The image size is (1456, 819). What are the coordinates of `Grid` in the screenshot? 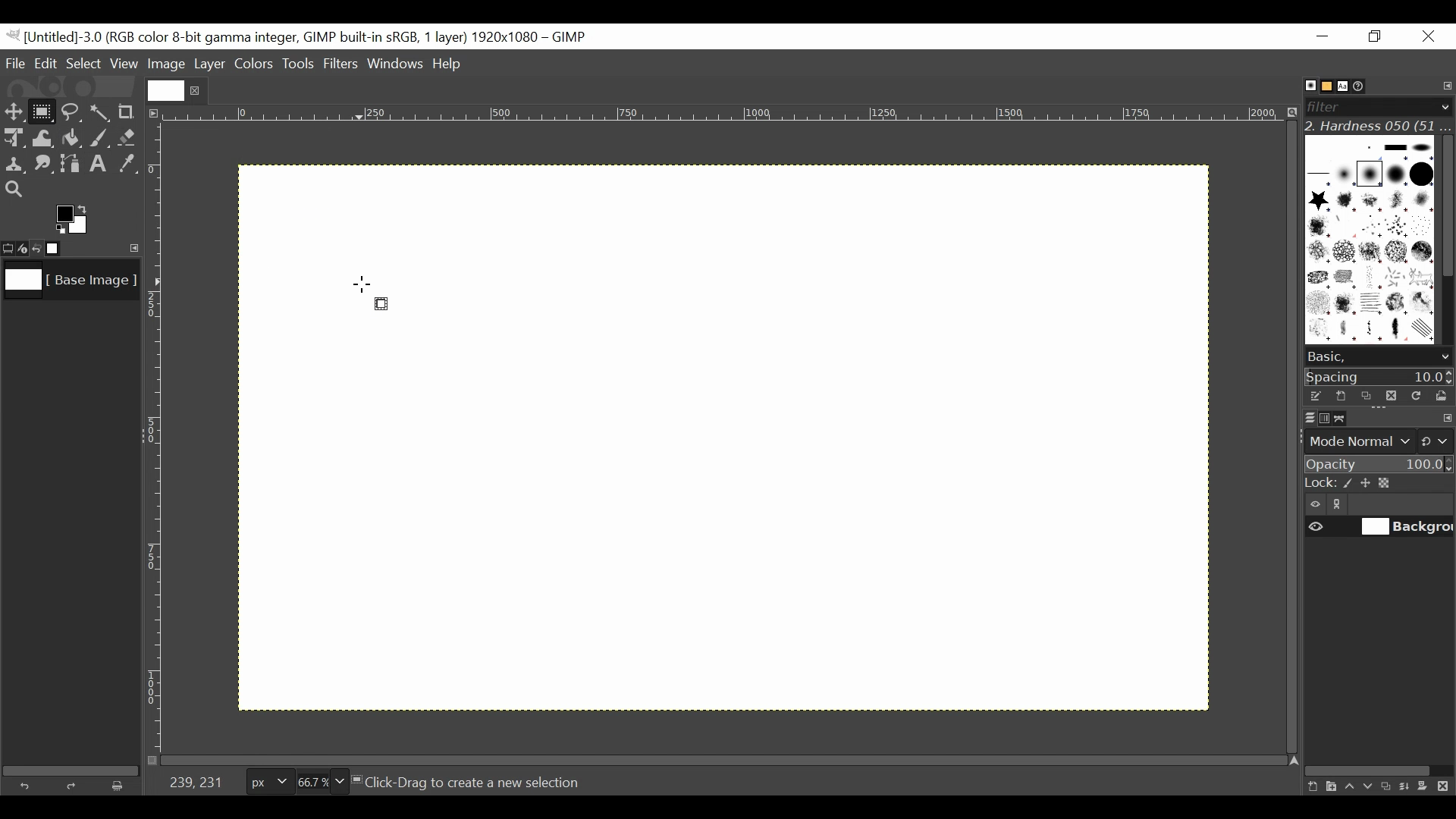 It's located at (795, 516).